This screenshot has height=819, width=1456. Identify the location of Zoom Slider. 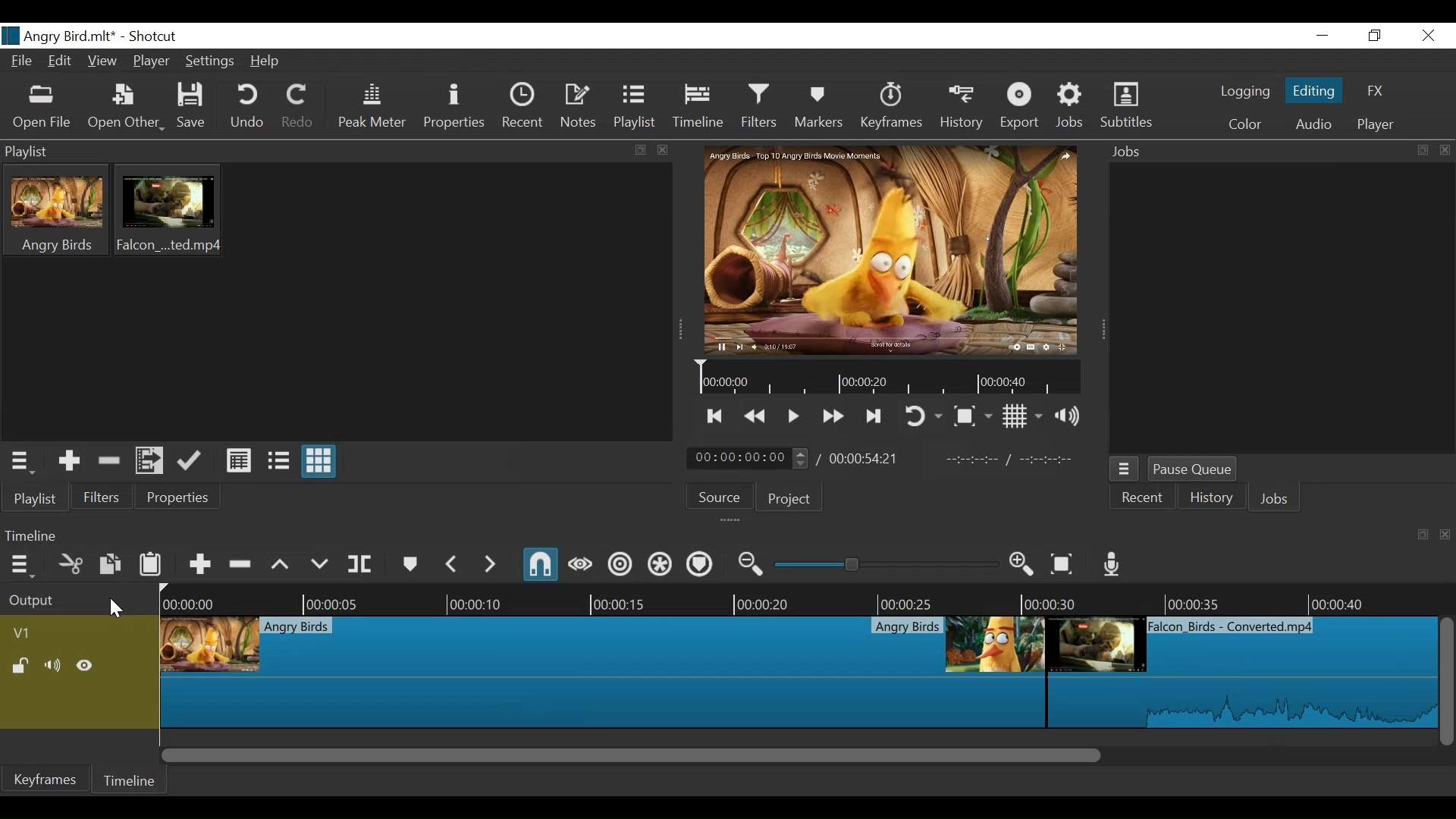
(888, 564).